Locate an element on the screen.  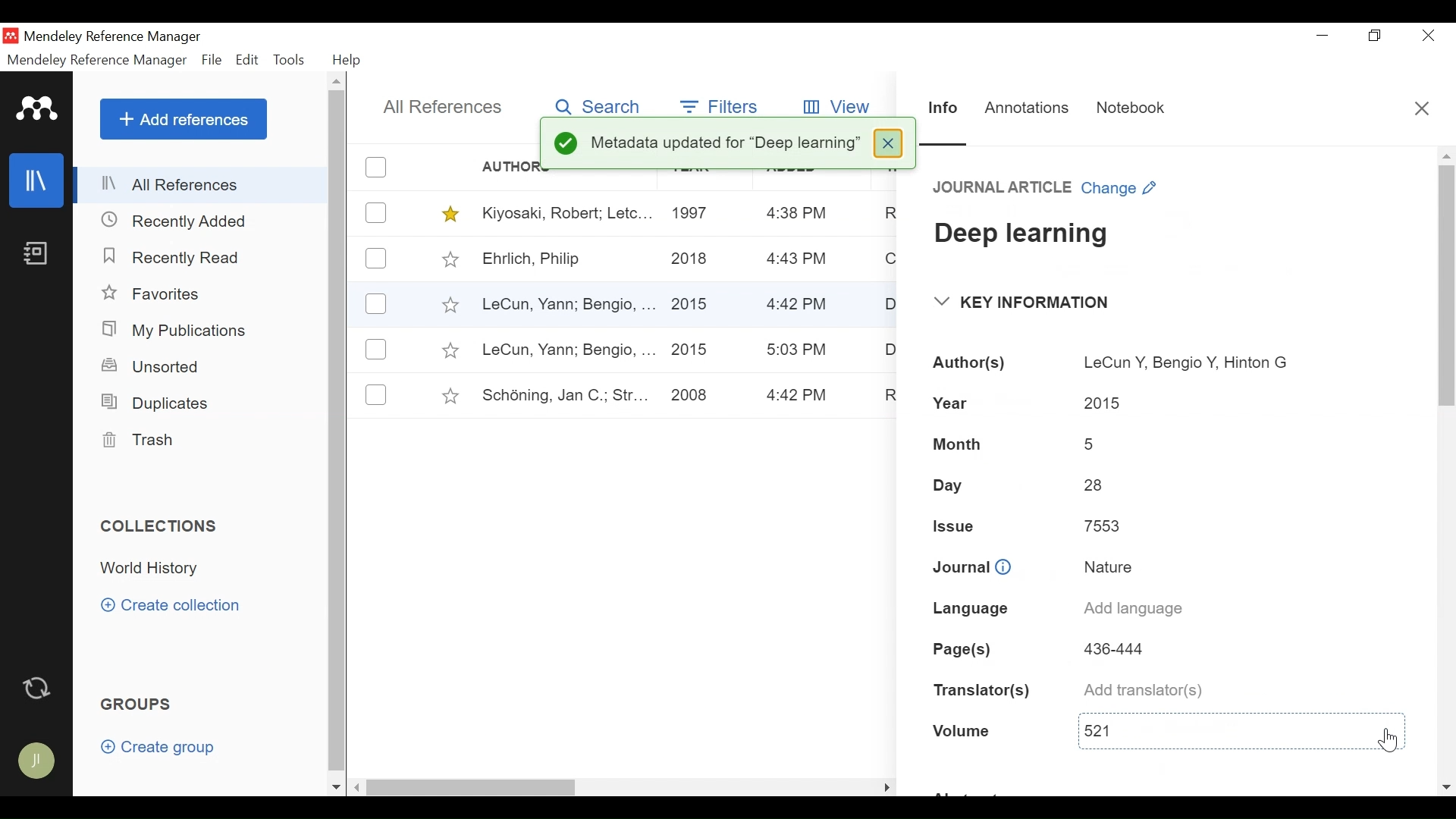
Hide is located at coordinates (886, 784).